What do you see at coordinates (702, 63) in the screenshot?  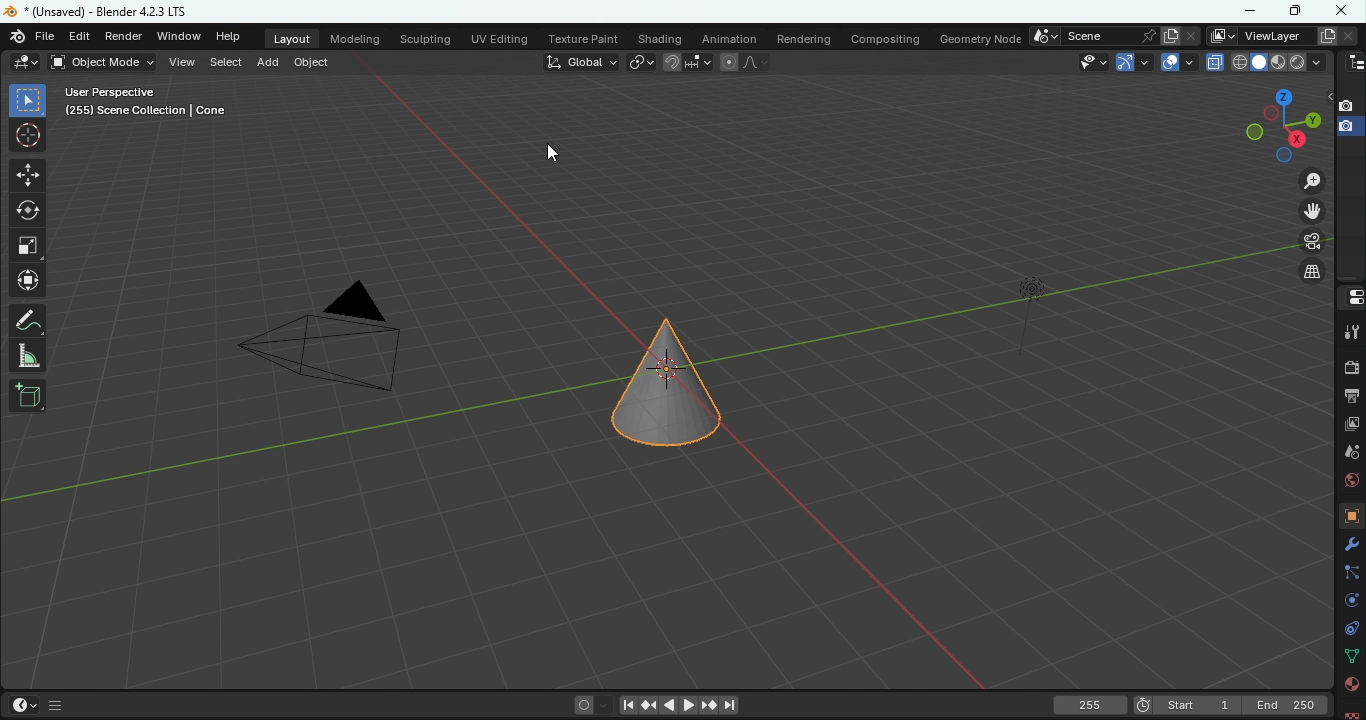 I see `Snapping` at bounding box center [702, 63].